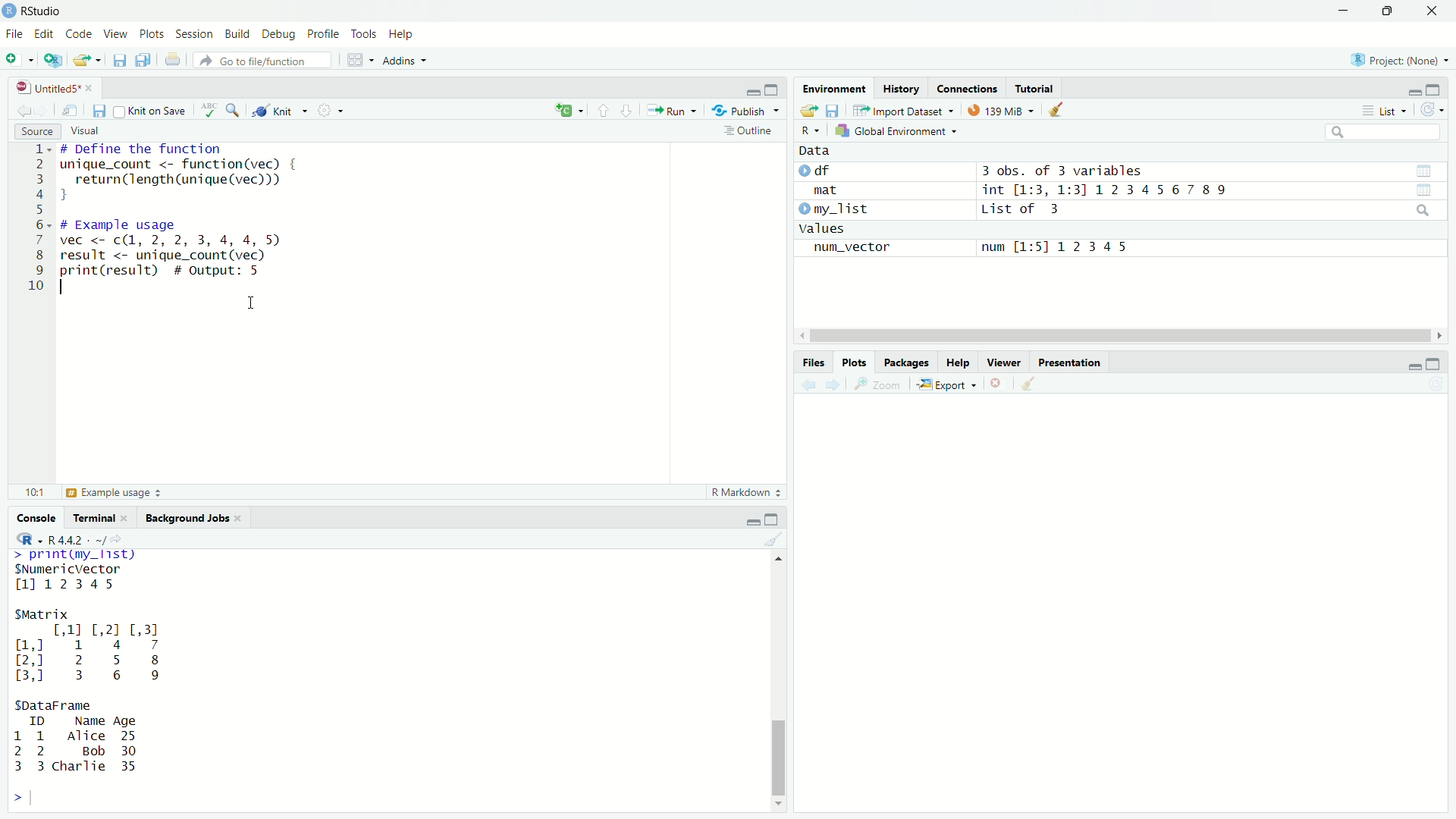 This screenshot has width=1456, height=819. I want to click on maximize, so click(1432, 364).